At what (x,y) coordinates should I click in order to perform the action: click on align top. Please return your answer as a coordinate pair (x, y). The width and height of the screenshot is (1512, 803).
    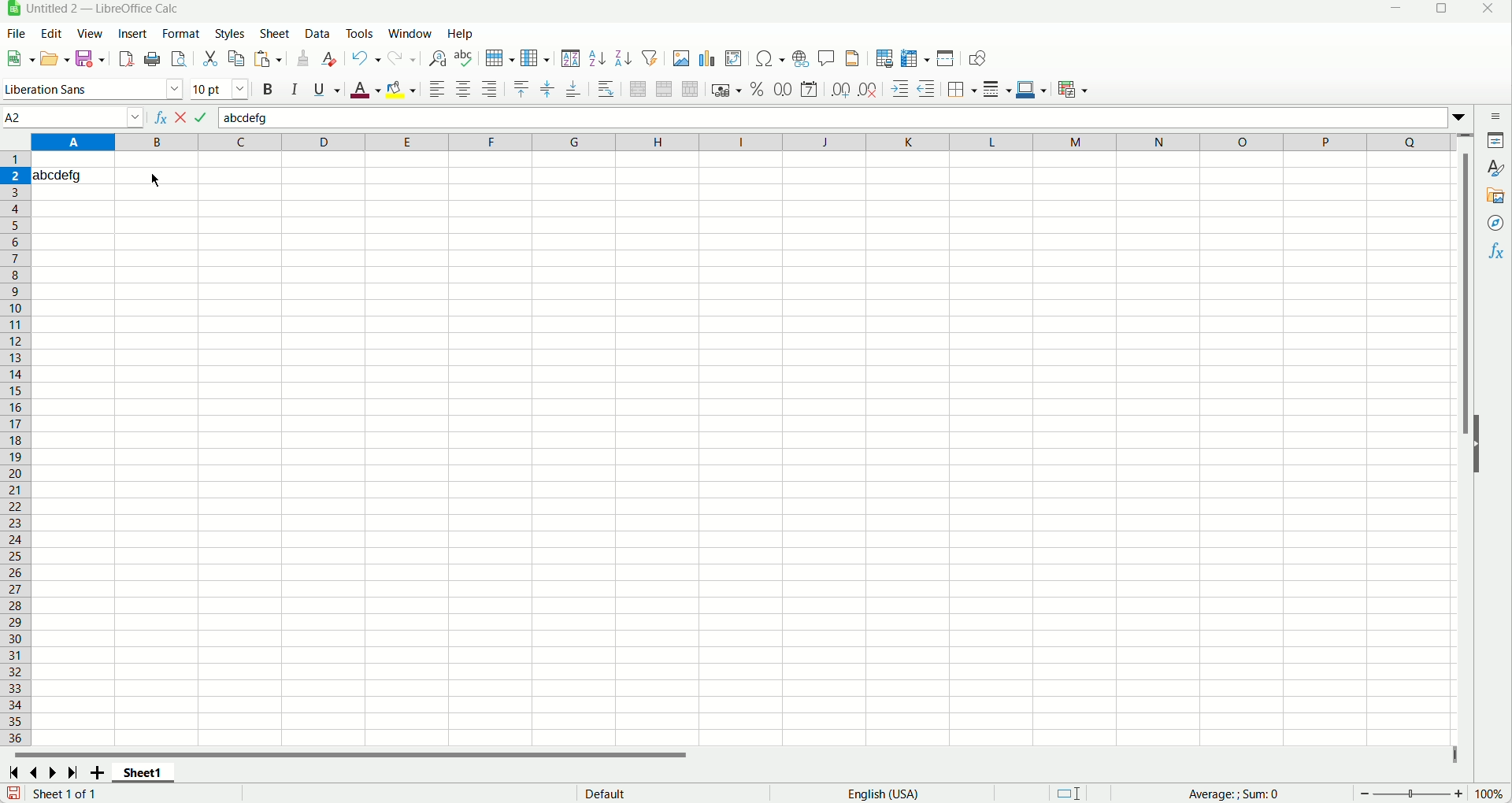
    Looking at the image, I should click on (522, 90).